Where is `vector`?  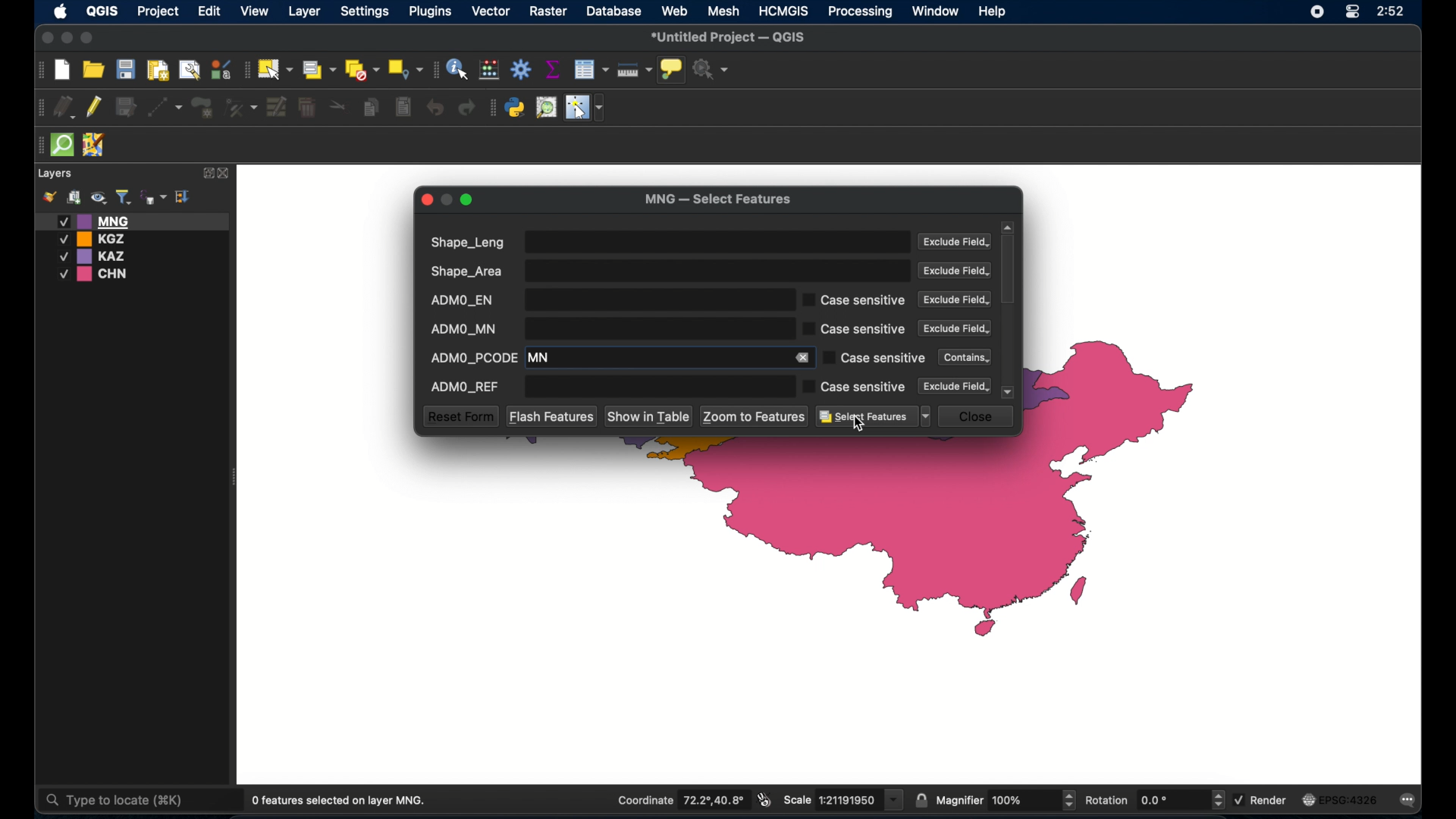 vector is located at coordinates (492, 11).